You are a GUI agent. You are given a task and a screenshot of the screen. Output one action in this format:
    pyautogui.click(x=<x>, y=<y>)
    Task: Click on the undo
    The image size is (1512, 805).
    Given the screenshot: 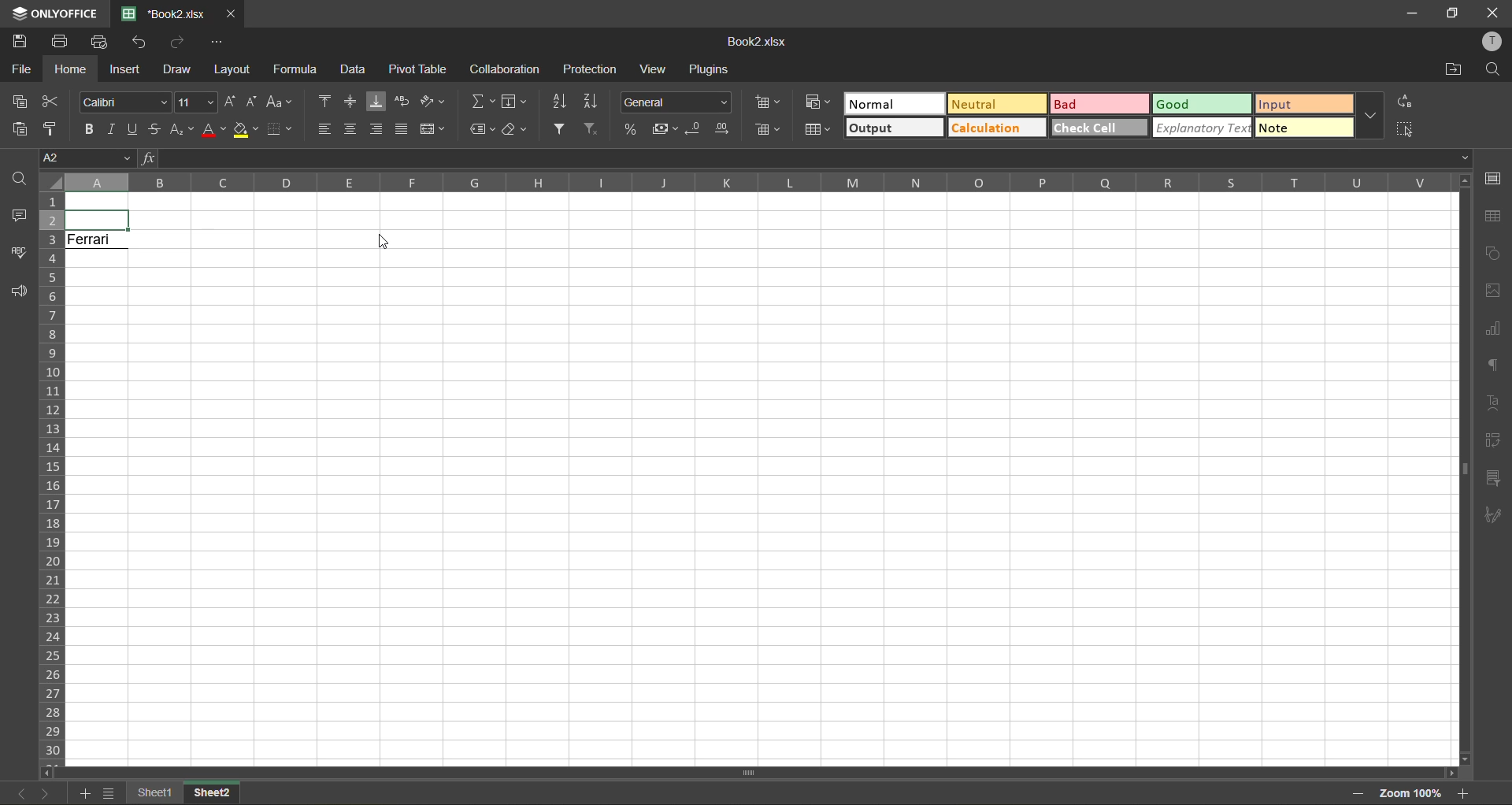 What is the action you would take?
    pyautogui.click(x=139, y=43)
    